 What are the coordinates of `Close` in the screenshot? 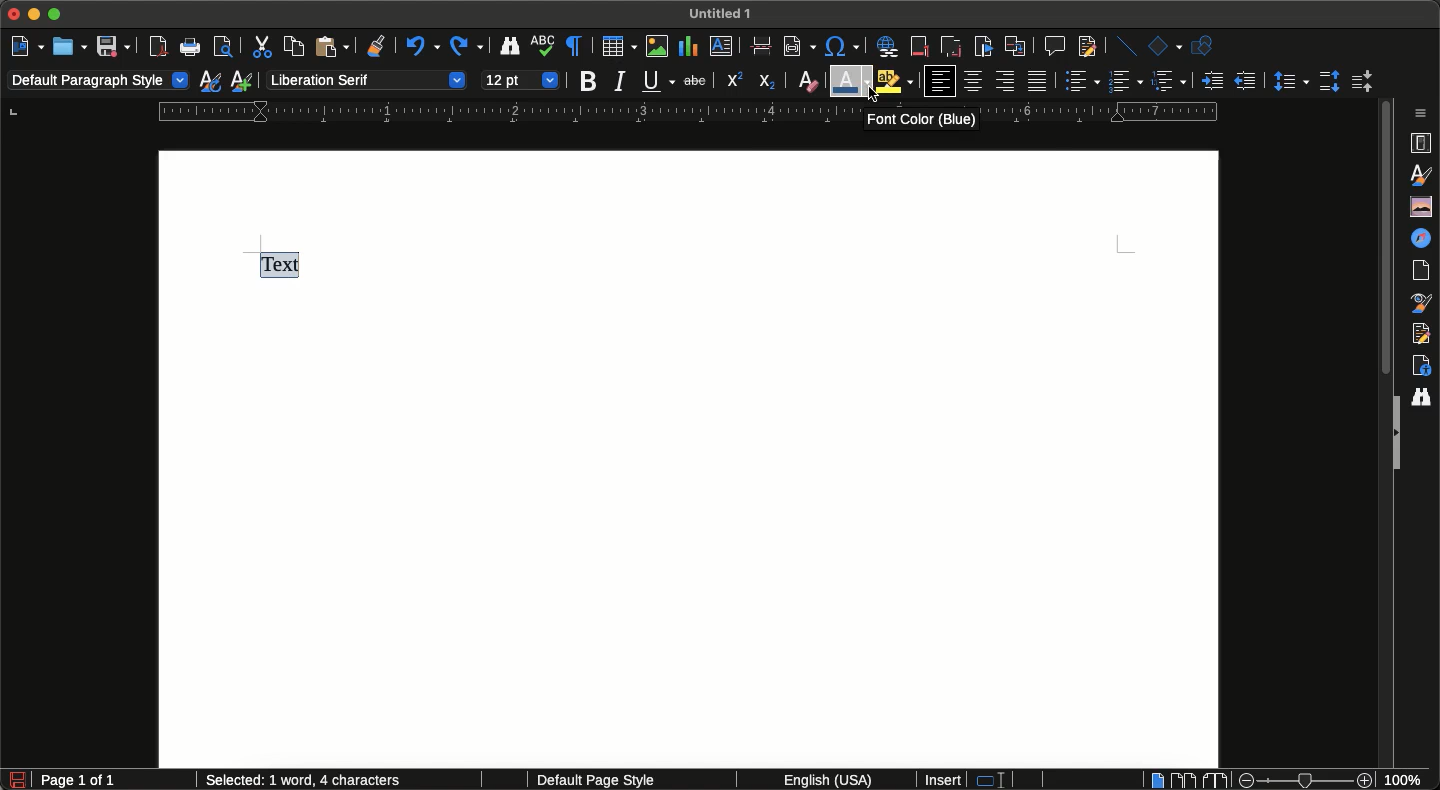 It's located at (14, 15).